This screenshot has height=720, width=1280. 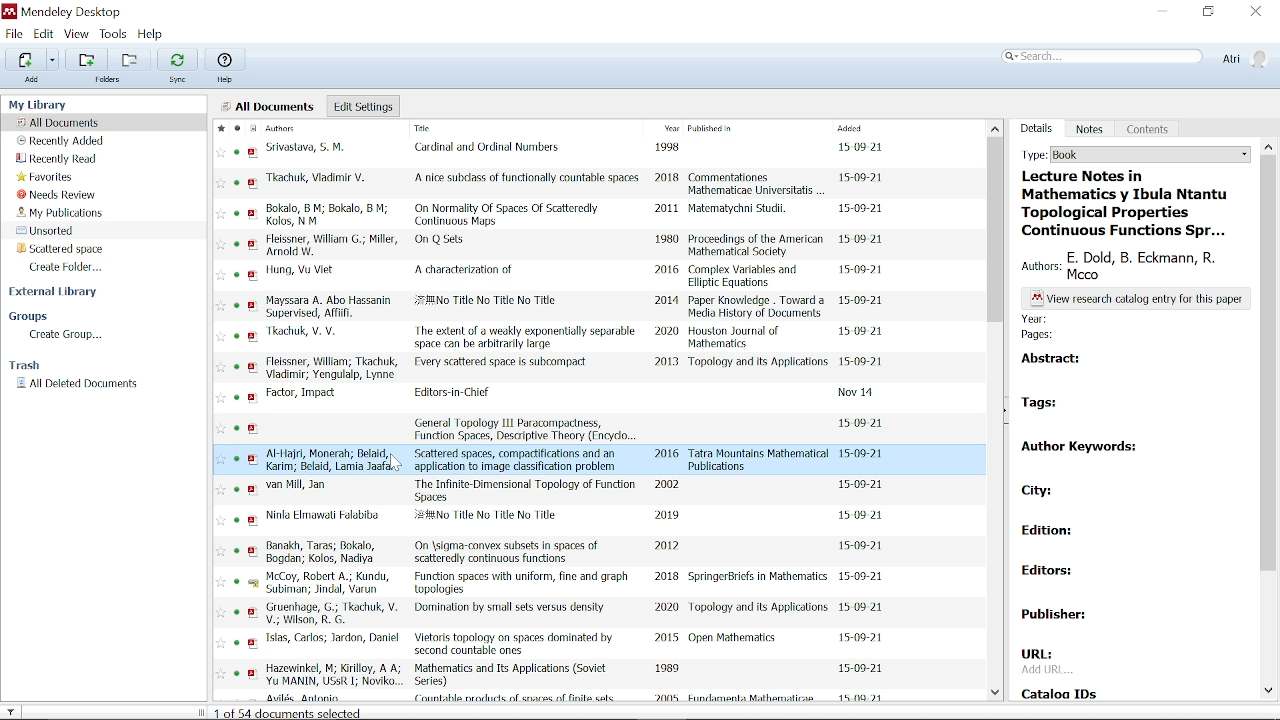 What do you see at coordinates (1046, 400) in the screenshot?
I see `tags` at bounding box center [1046, 400].